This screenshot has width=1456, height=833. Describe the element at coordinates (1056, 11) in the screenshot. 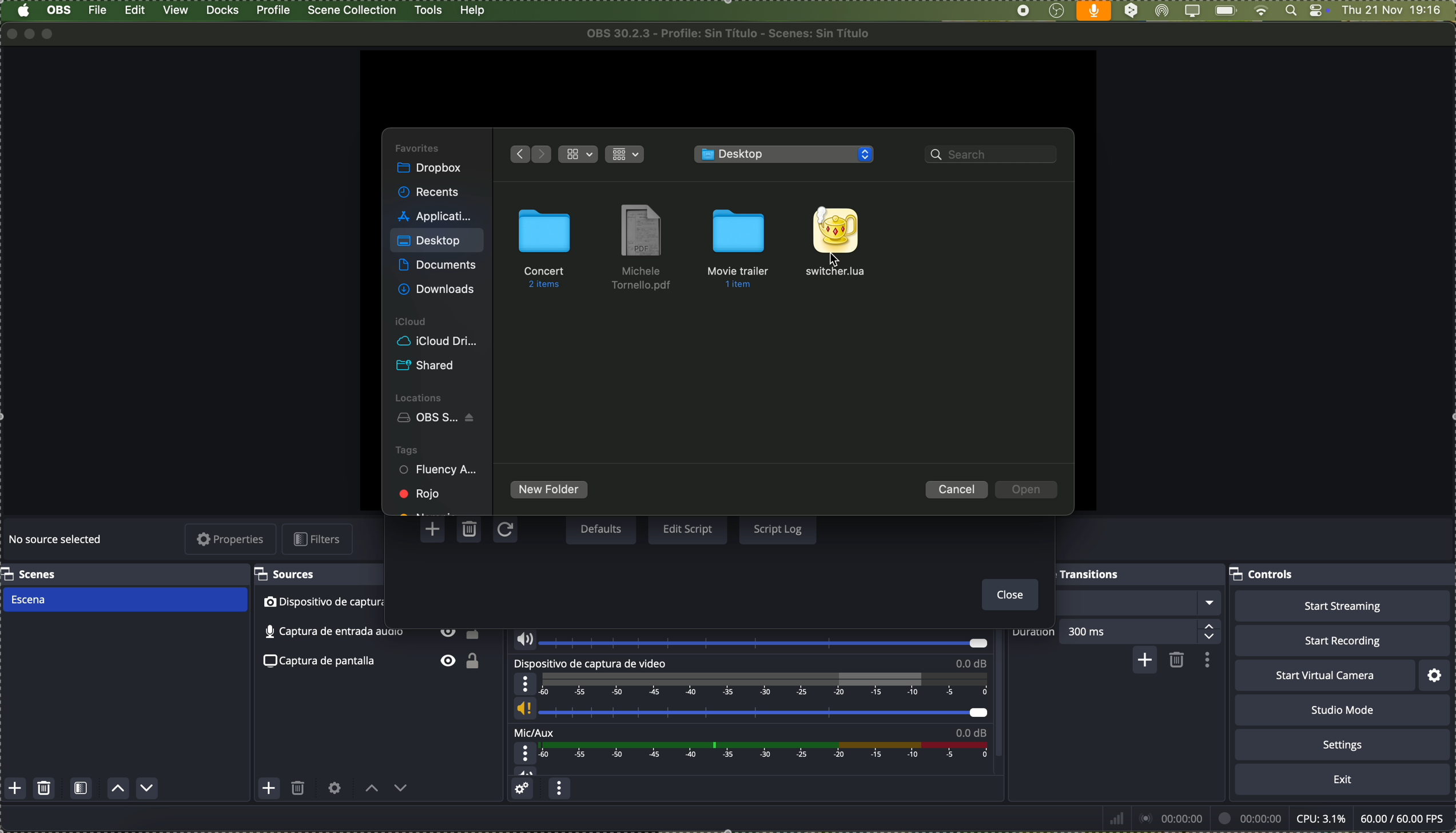

I see `OBS Studio` at that location.